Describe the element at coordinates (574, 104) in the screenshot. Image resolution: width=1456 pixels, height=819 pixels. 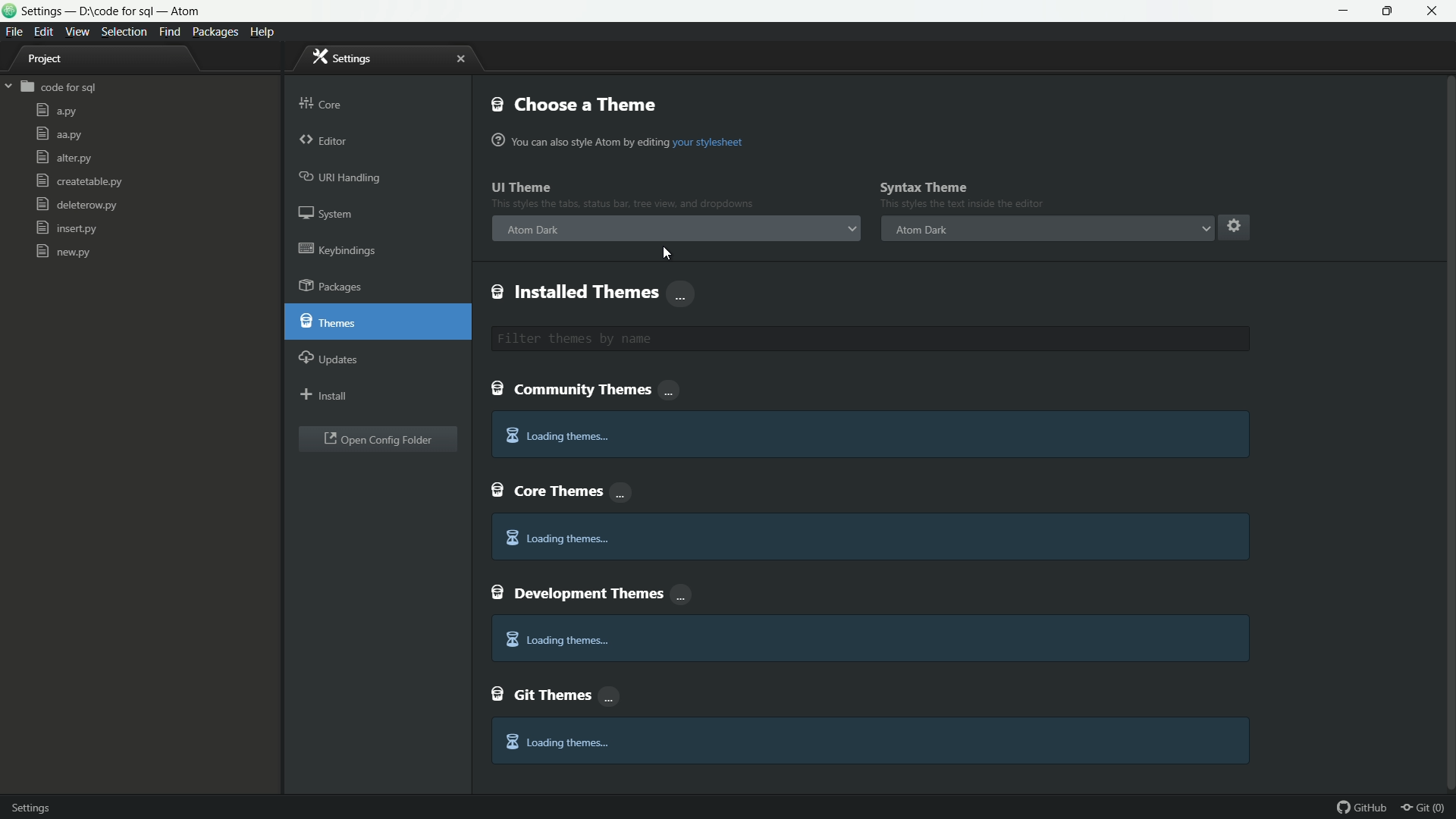
I see `choose a theme` at that location.